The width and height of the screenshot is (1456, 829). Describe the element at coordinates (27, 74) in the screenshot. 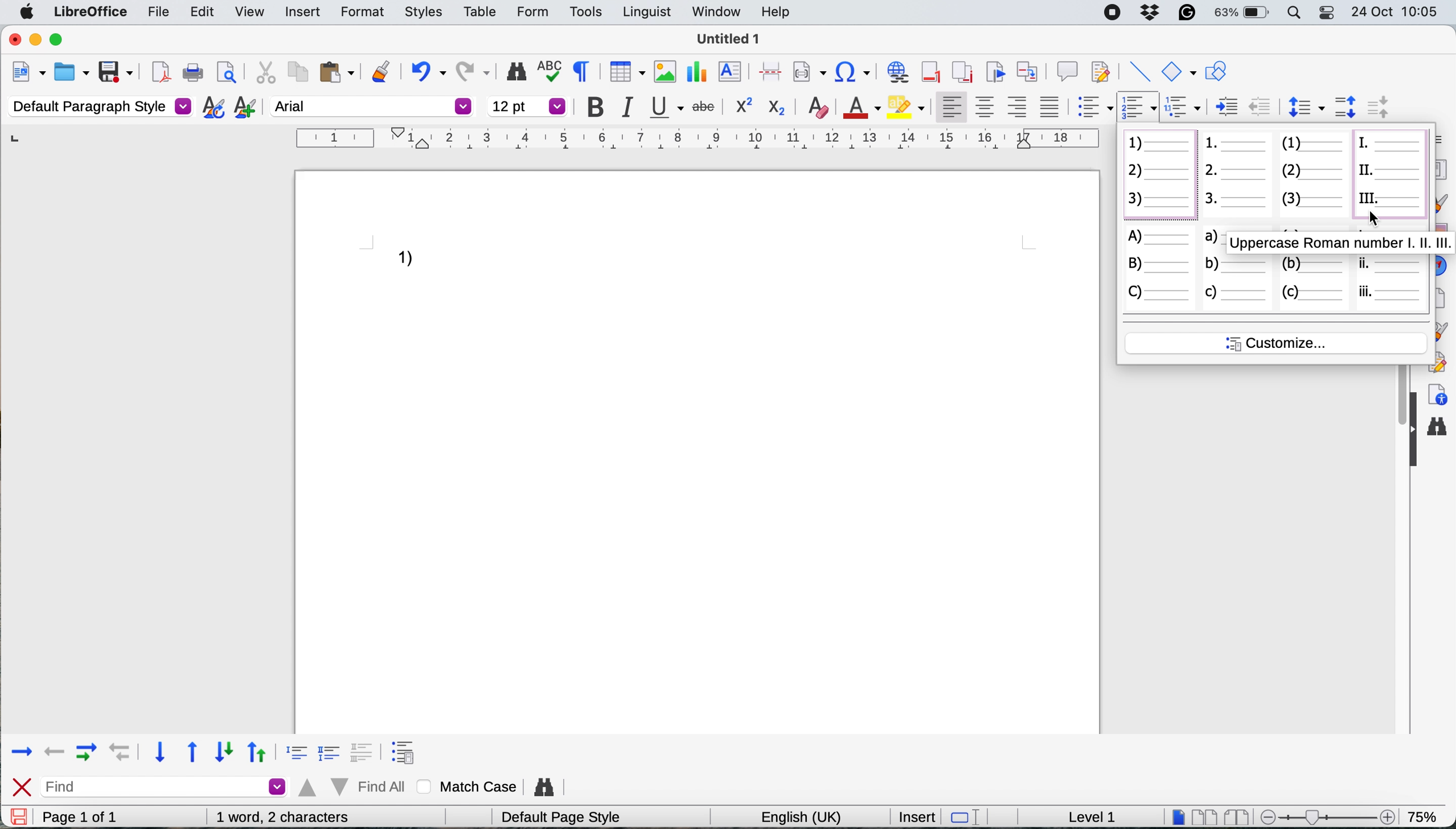

I see `new` at that location.